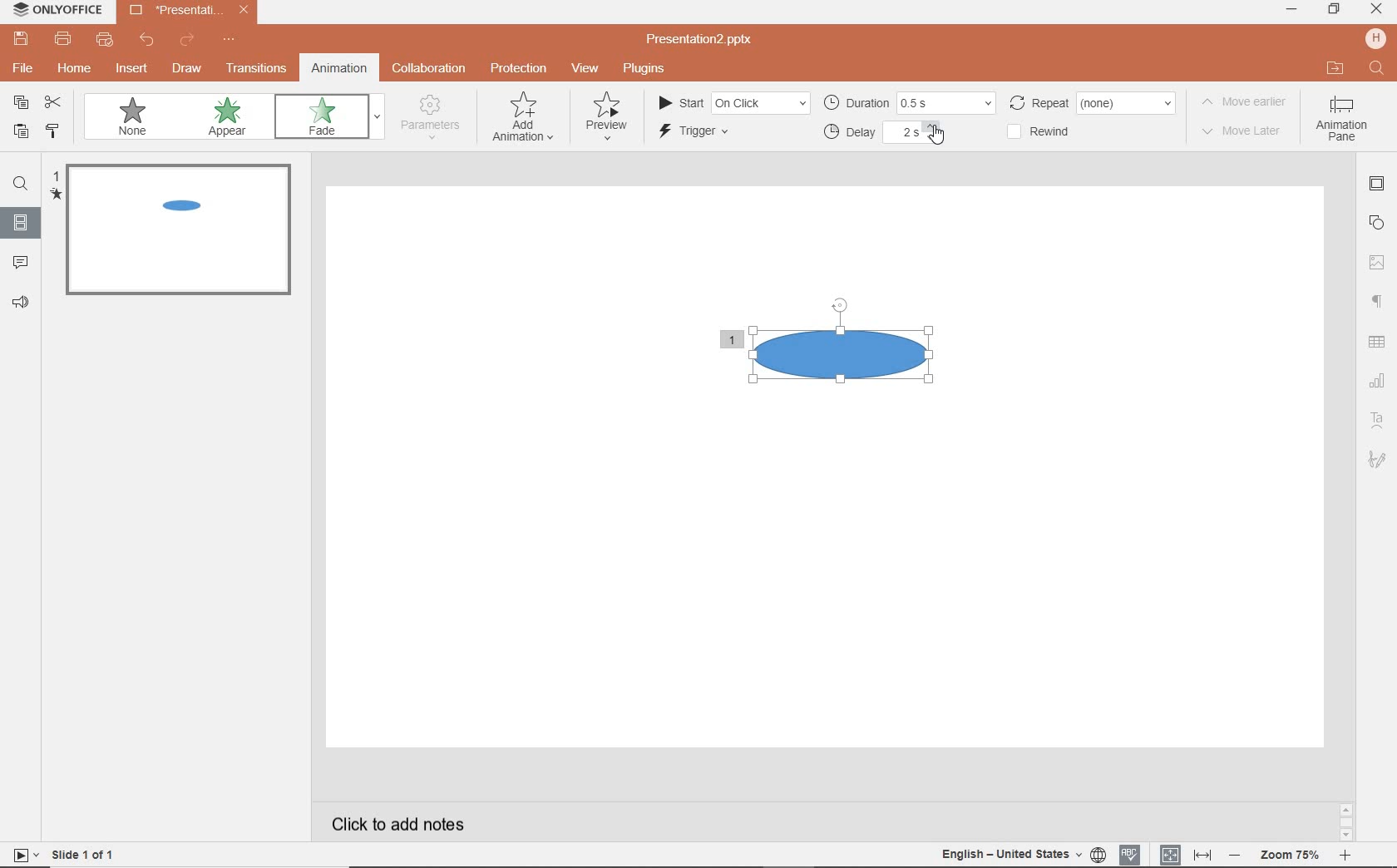 The height and width of the screenshot is (868, 1397). I want to click on FEEDBACK & SUPPORT, so click(20, 303).